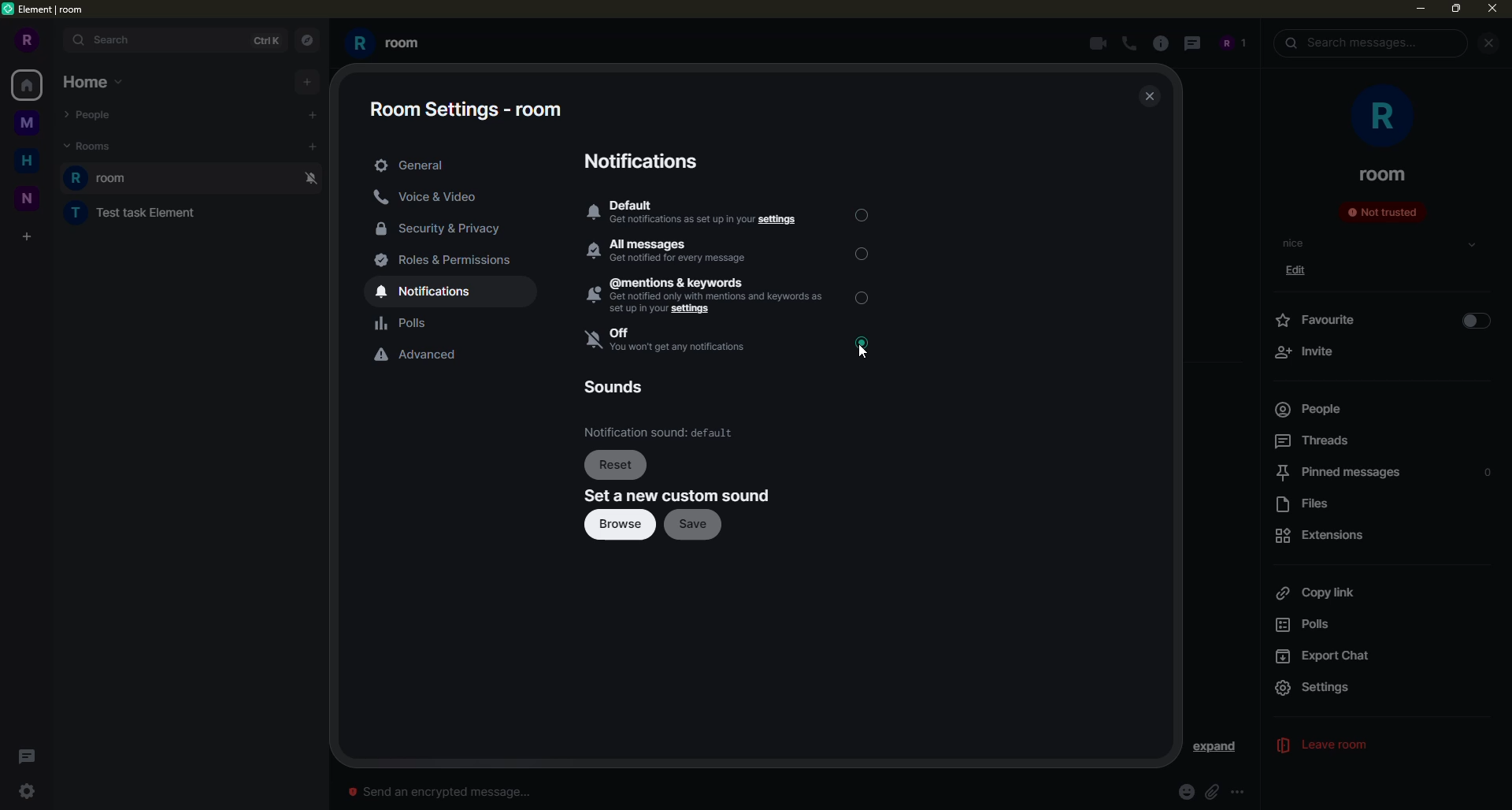  What do you see at coordinates (1255, 422) in the screenshot?
I see `scroll bar` at bounding box center [1255, 422].